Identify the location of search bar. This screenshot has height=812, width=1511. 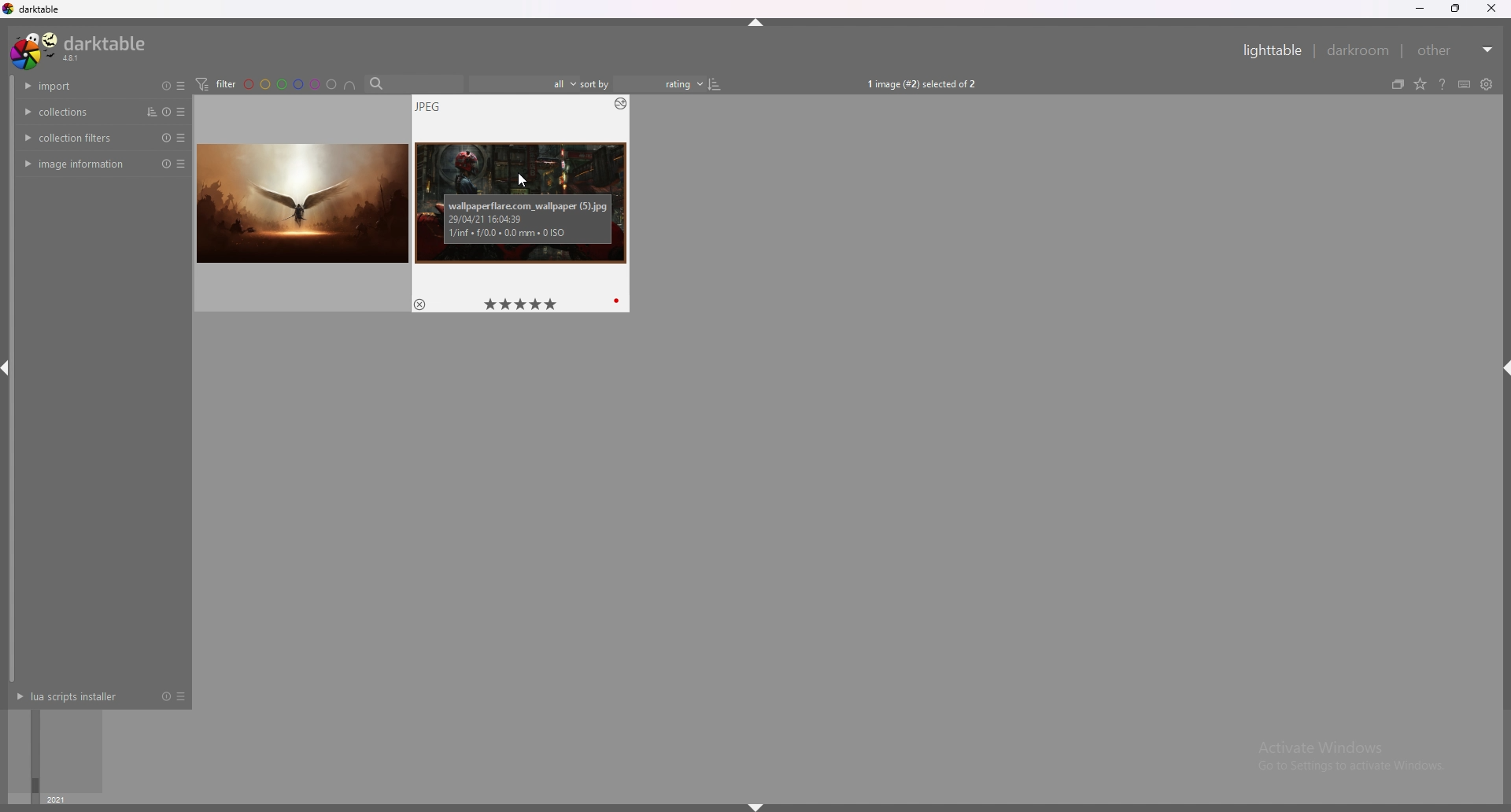
(412, 83).